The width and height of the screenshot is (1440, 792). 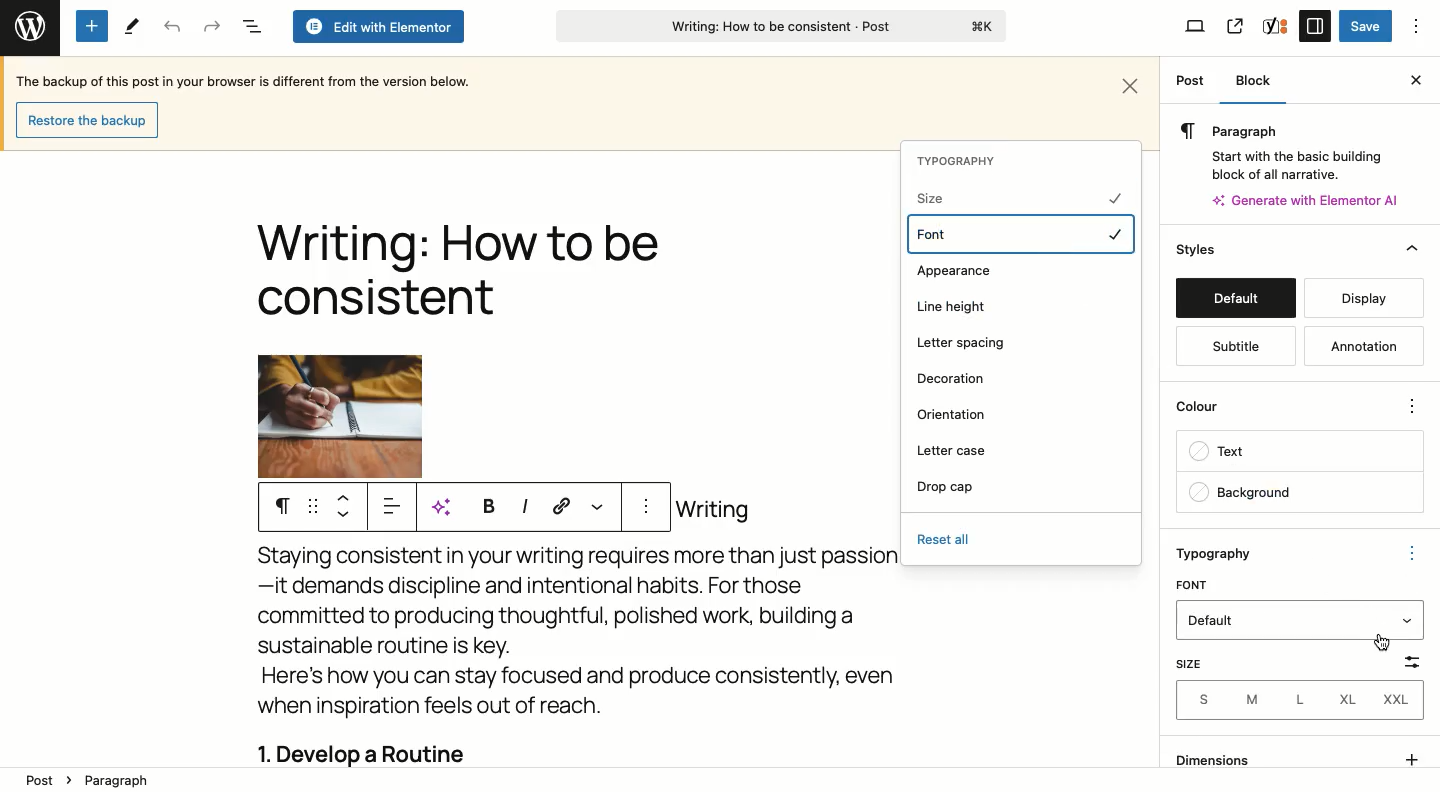 I want to click on Colour, so click(x=1283, y=404).